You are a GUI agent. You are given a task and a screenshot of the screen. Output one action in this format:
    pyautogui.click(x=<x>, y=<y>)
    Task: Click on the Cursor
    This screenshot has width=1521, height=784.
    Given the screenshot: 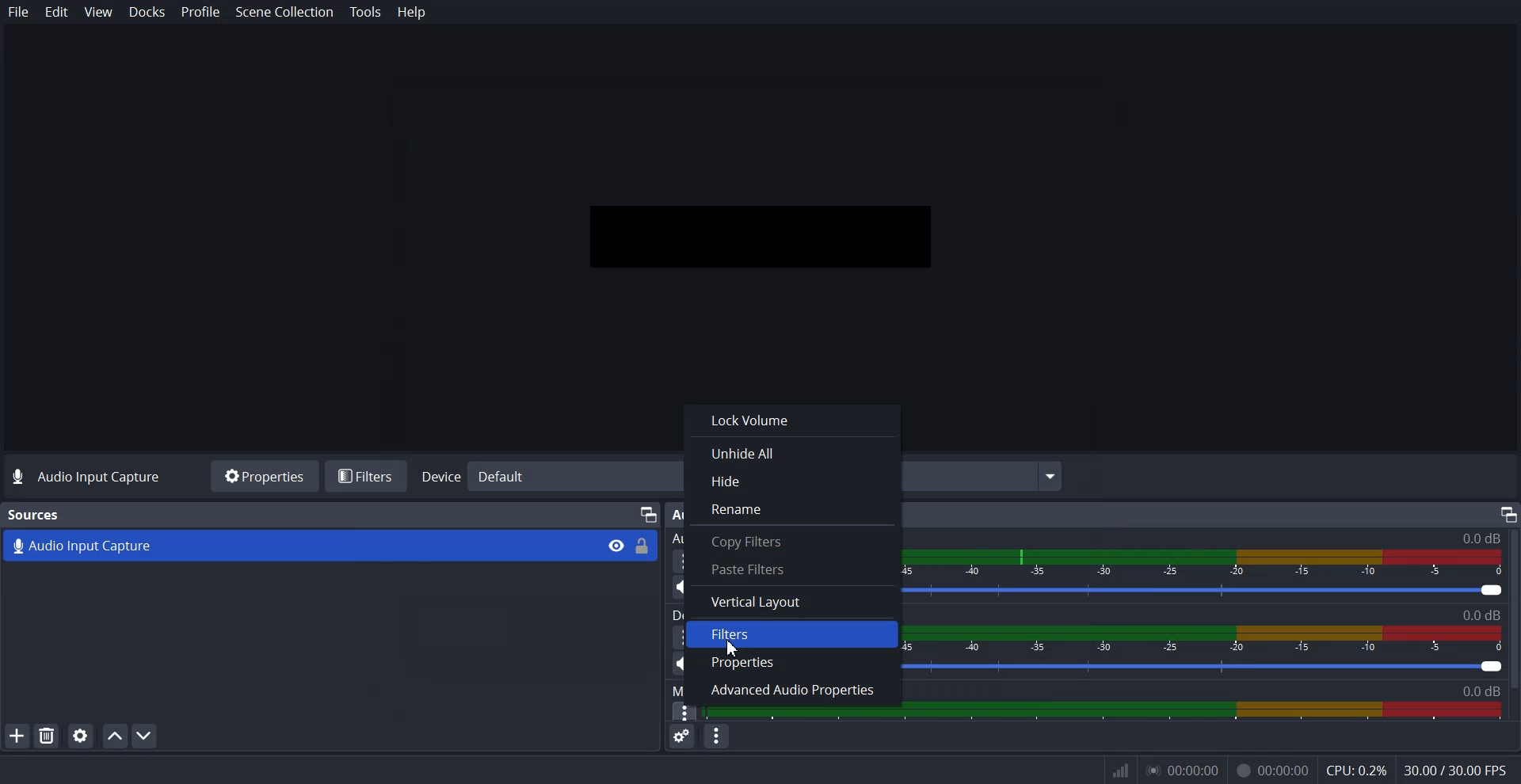 What is the action you would take?
    pyautogui.click(x=732, y=647)
    